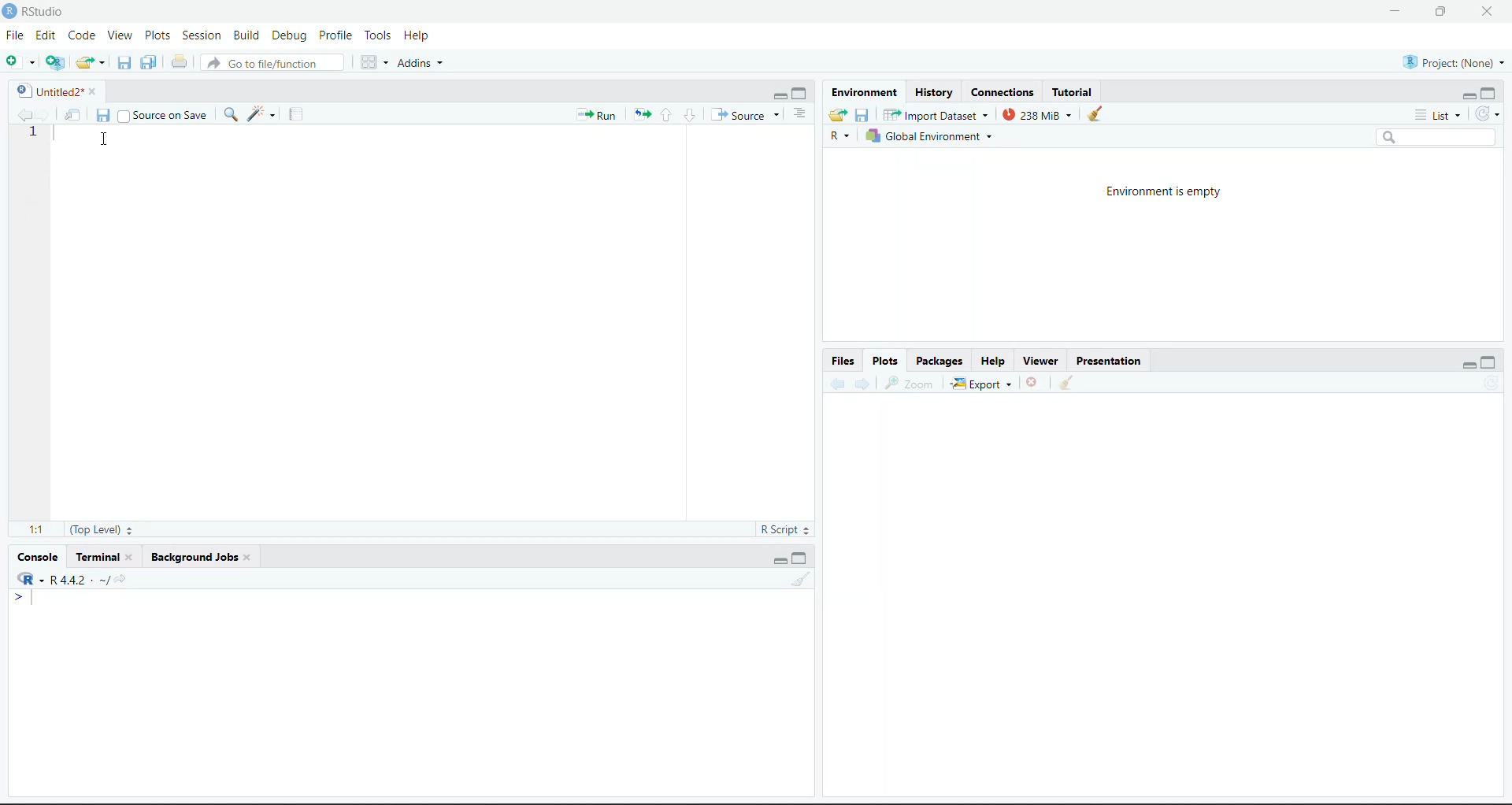 This screenshot has width=1512, height=805. What do you see at coordinates (839, 115) in the screenshot?
I see `open folder` at bounding box center [839, 115].